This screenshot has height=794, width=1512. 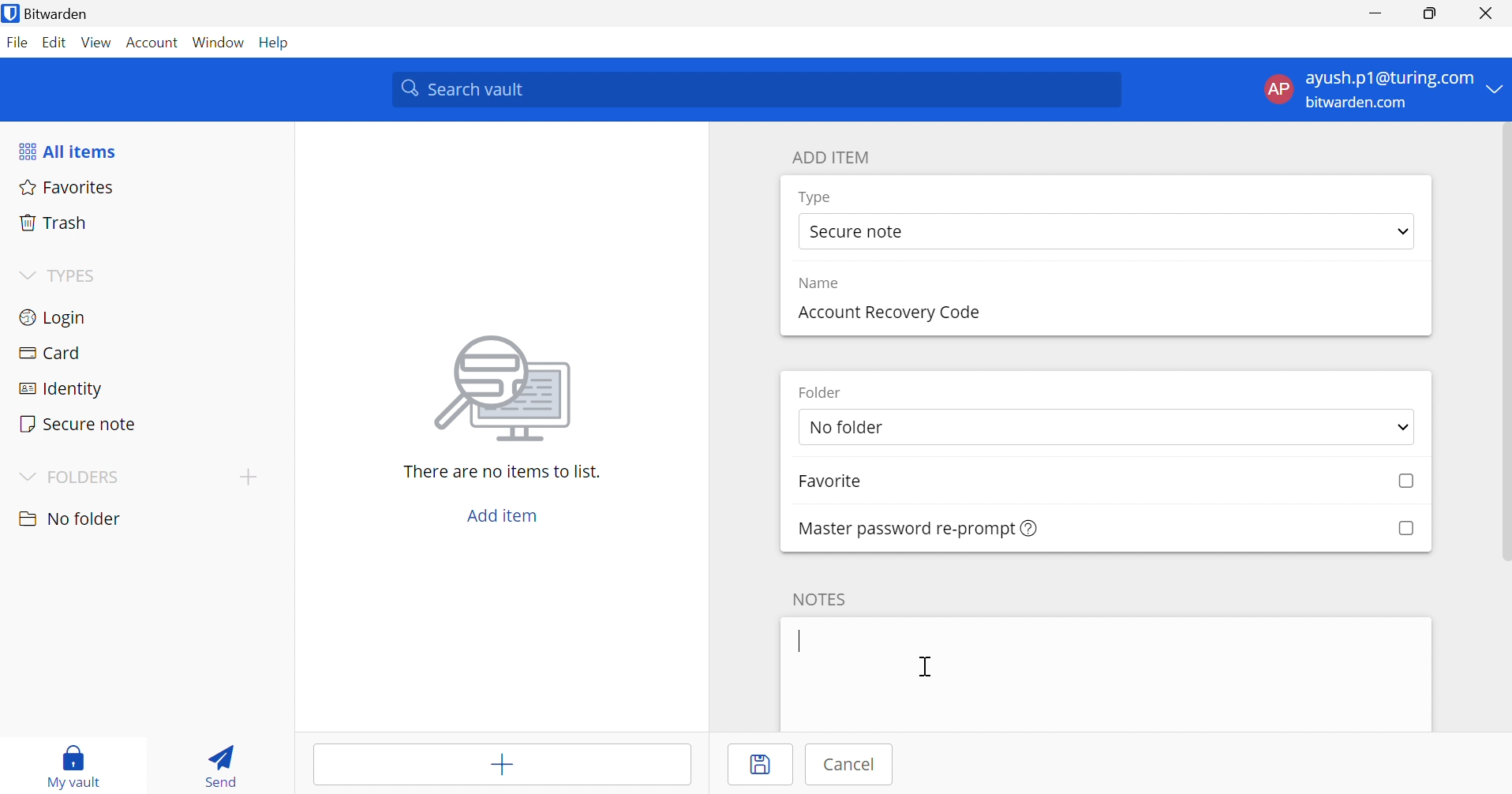 I want to click on Favorite, so click(x=847, y=483).